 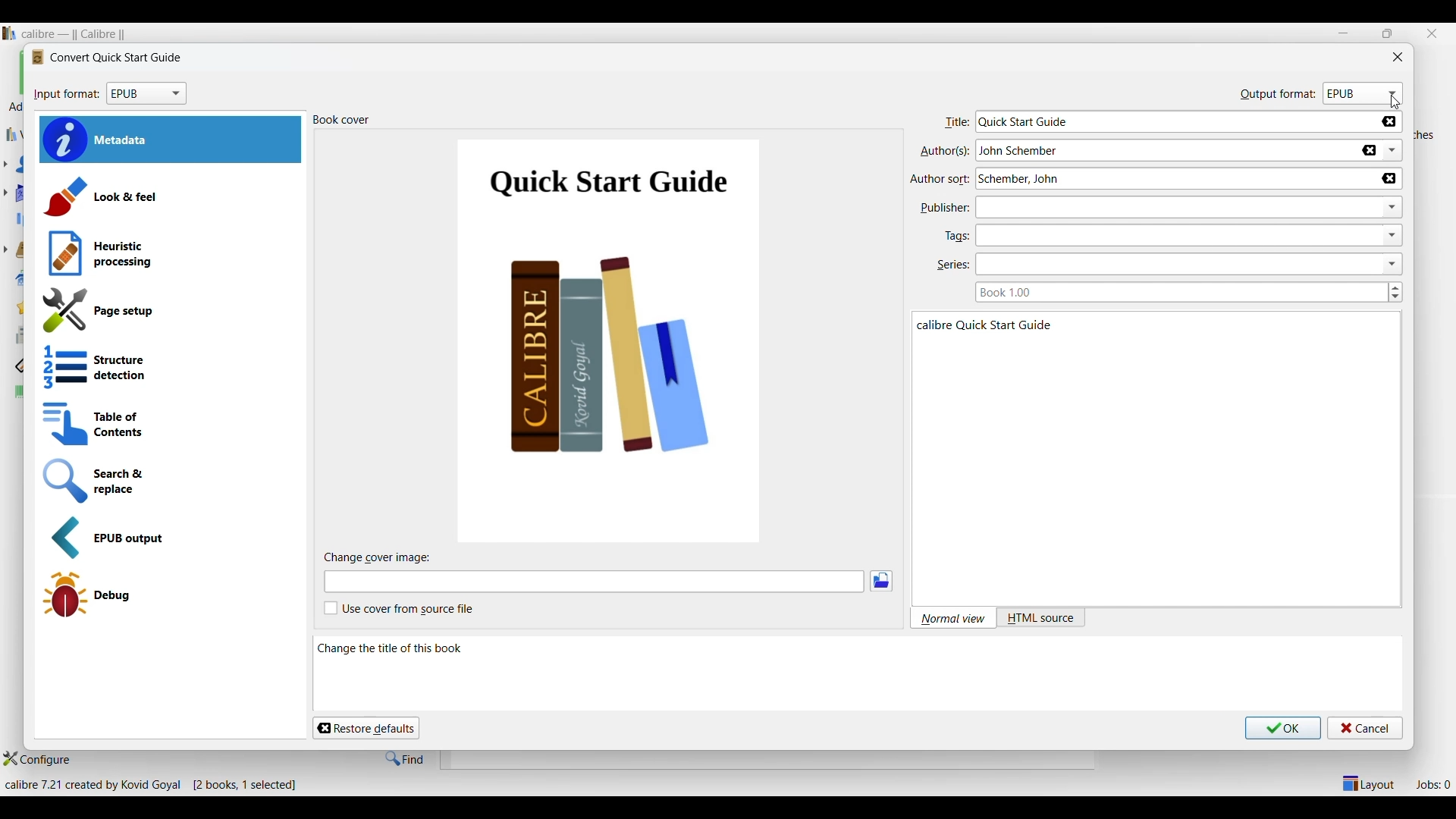 I want to click on dropdown, so click(x=1393, y=207).